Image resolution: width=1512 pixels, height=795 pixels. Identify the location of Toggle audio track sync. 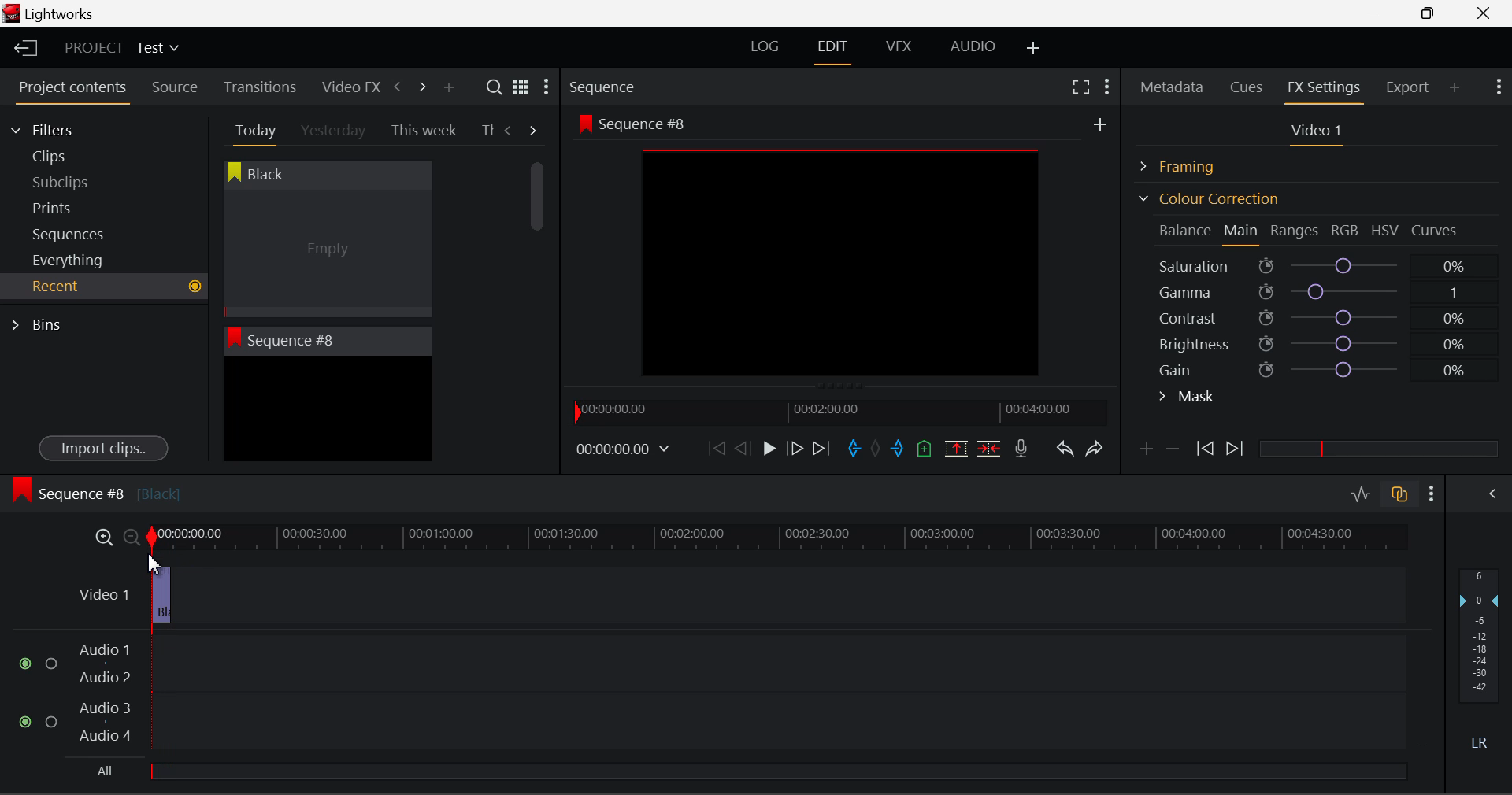
(1400, 493).